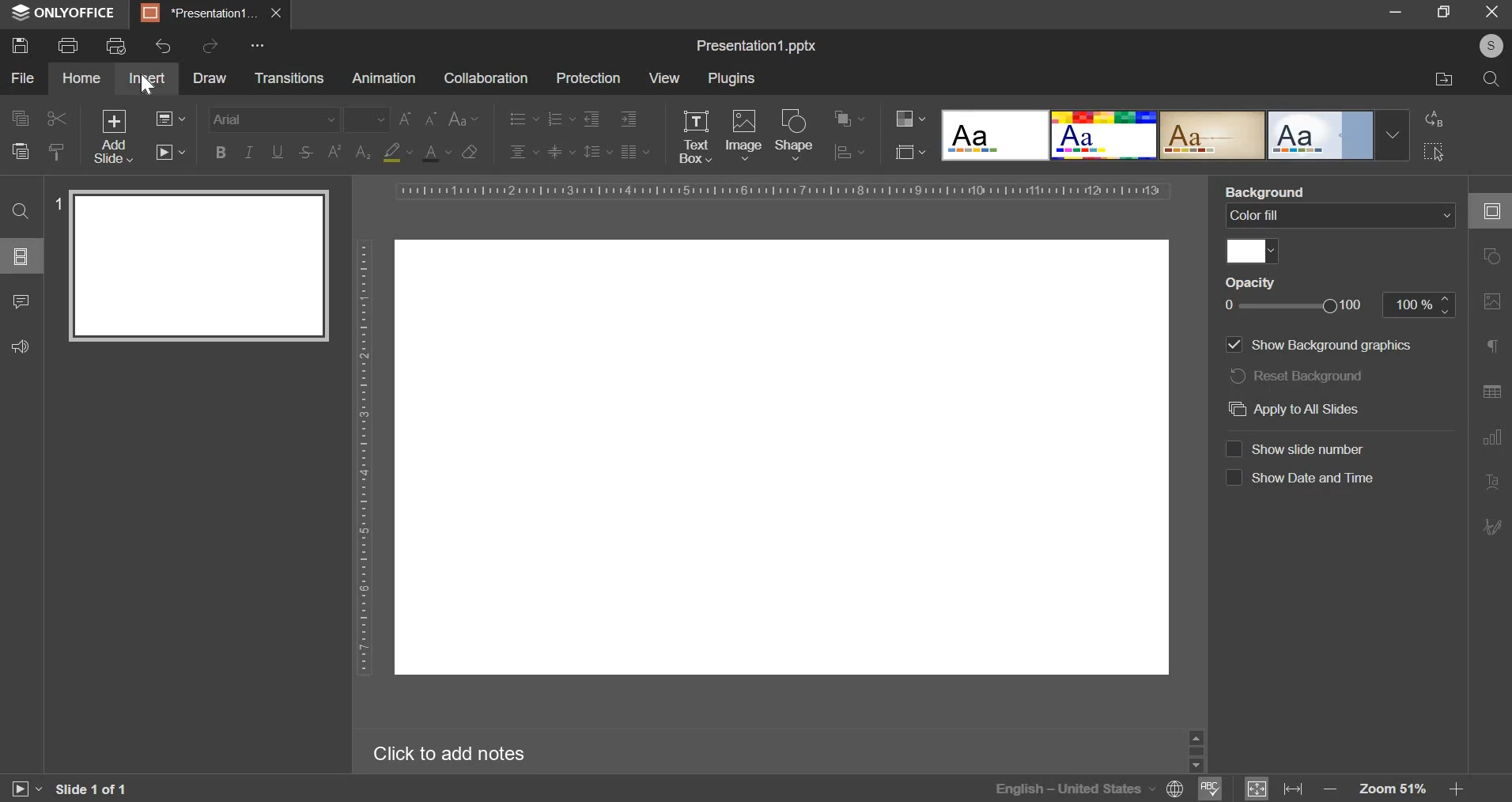 The width and height of the screenshot is (1512, 802). What do you see at coordinates (366, 448) in the screenshot?
I see `vertical scale` at bounding box center [366, 448].